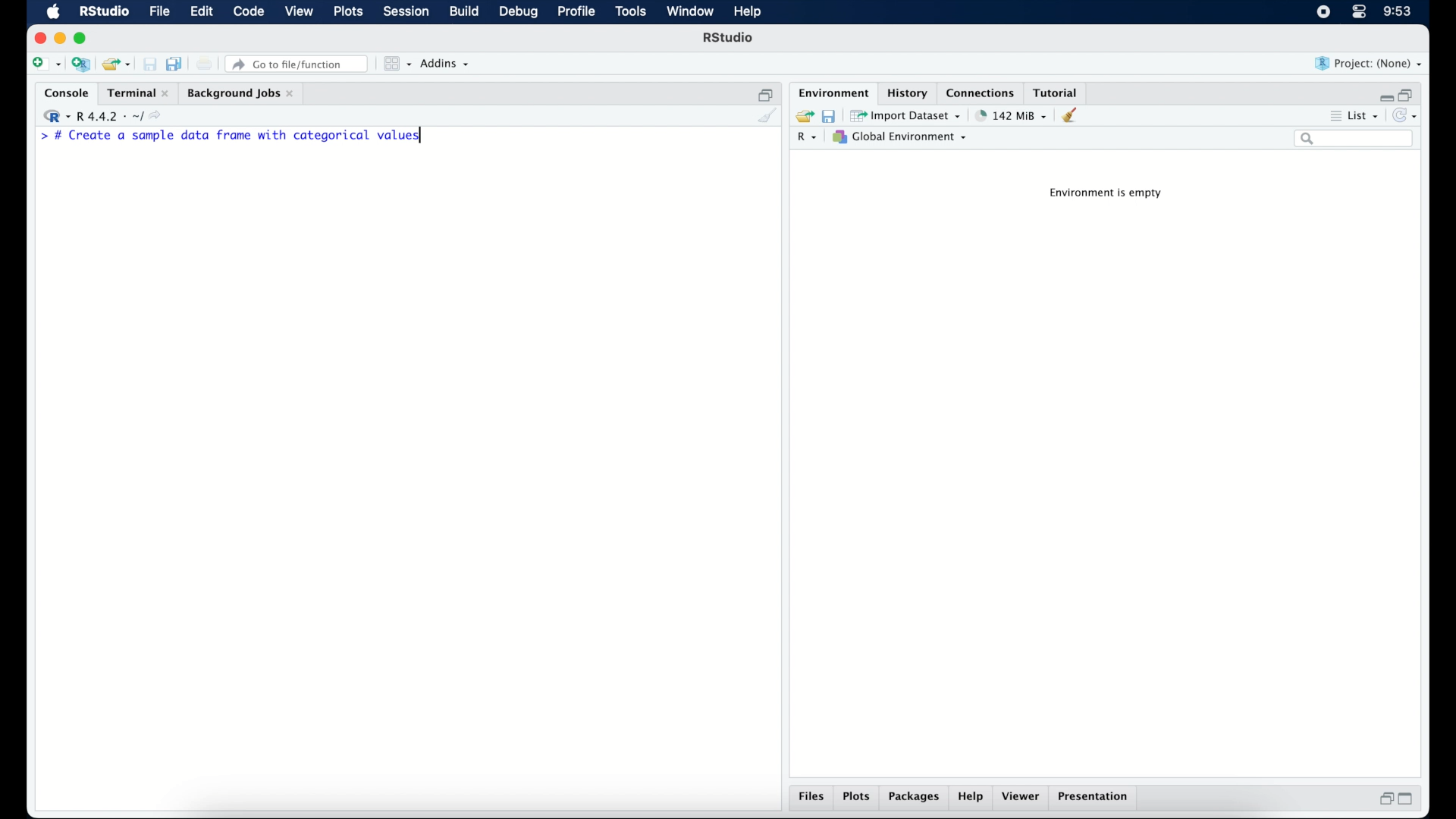 The image size is (1456, 819). Describe the element at coordinates (1366, 115) in the screenshot. I see `list` at that location.